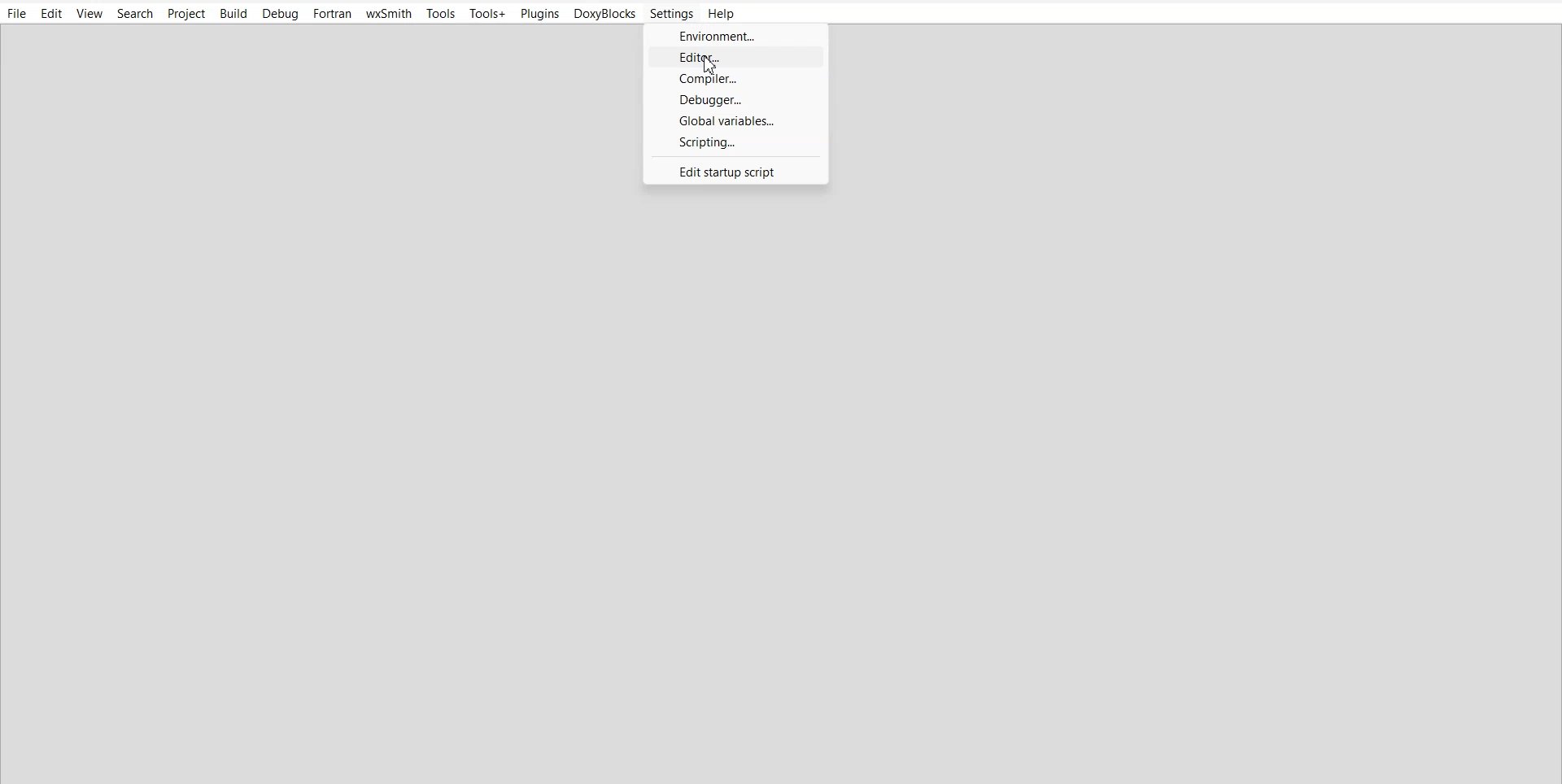 This screenshot has width=1562, height=784. Describe the element at coordinates (188, 13) in the screenshot. I see `Project` at that location.